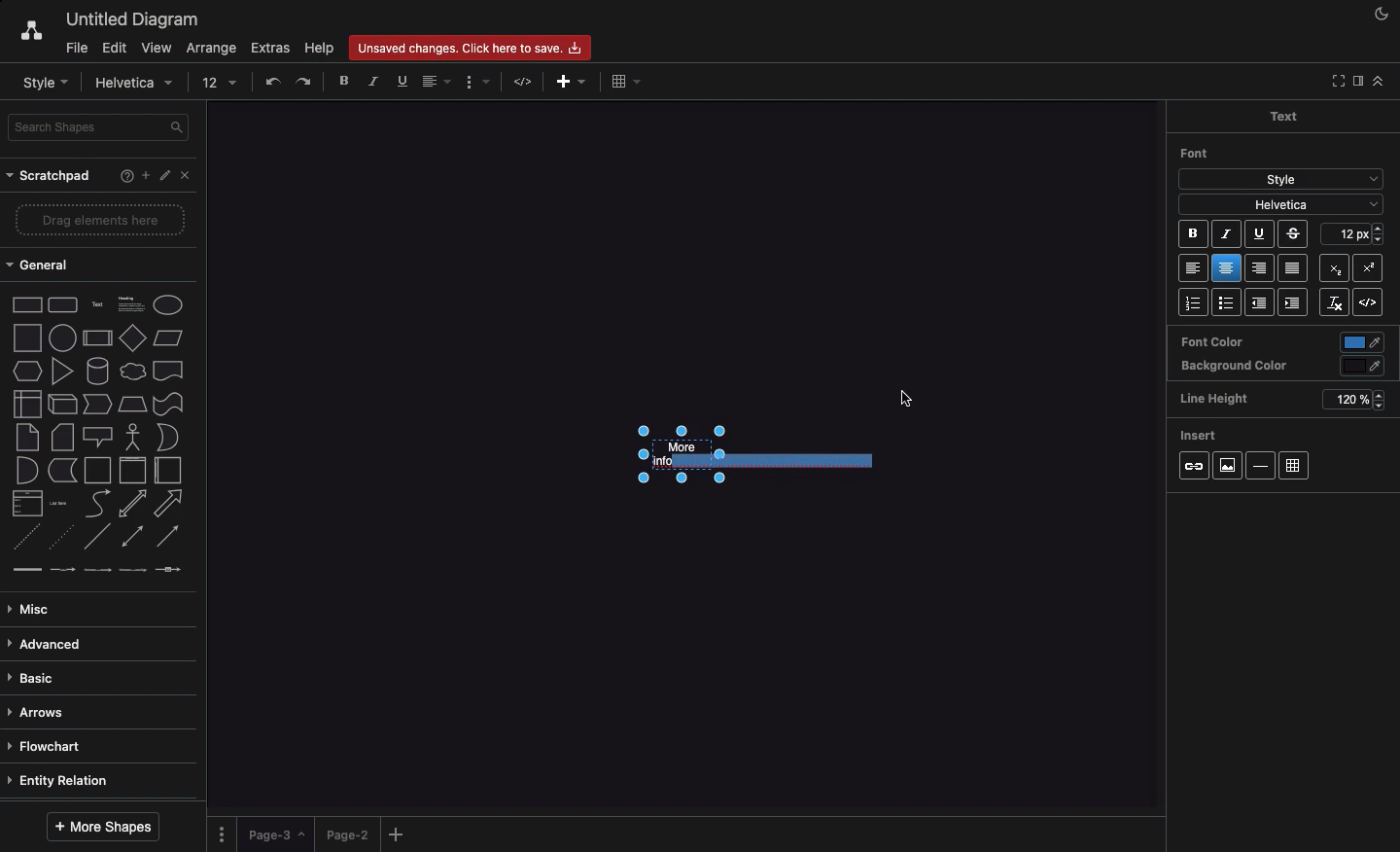 The image size is (1400, 852). Describe the element at coordinates (1294, 467) in the screenshot. I see `Table` at that location.